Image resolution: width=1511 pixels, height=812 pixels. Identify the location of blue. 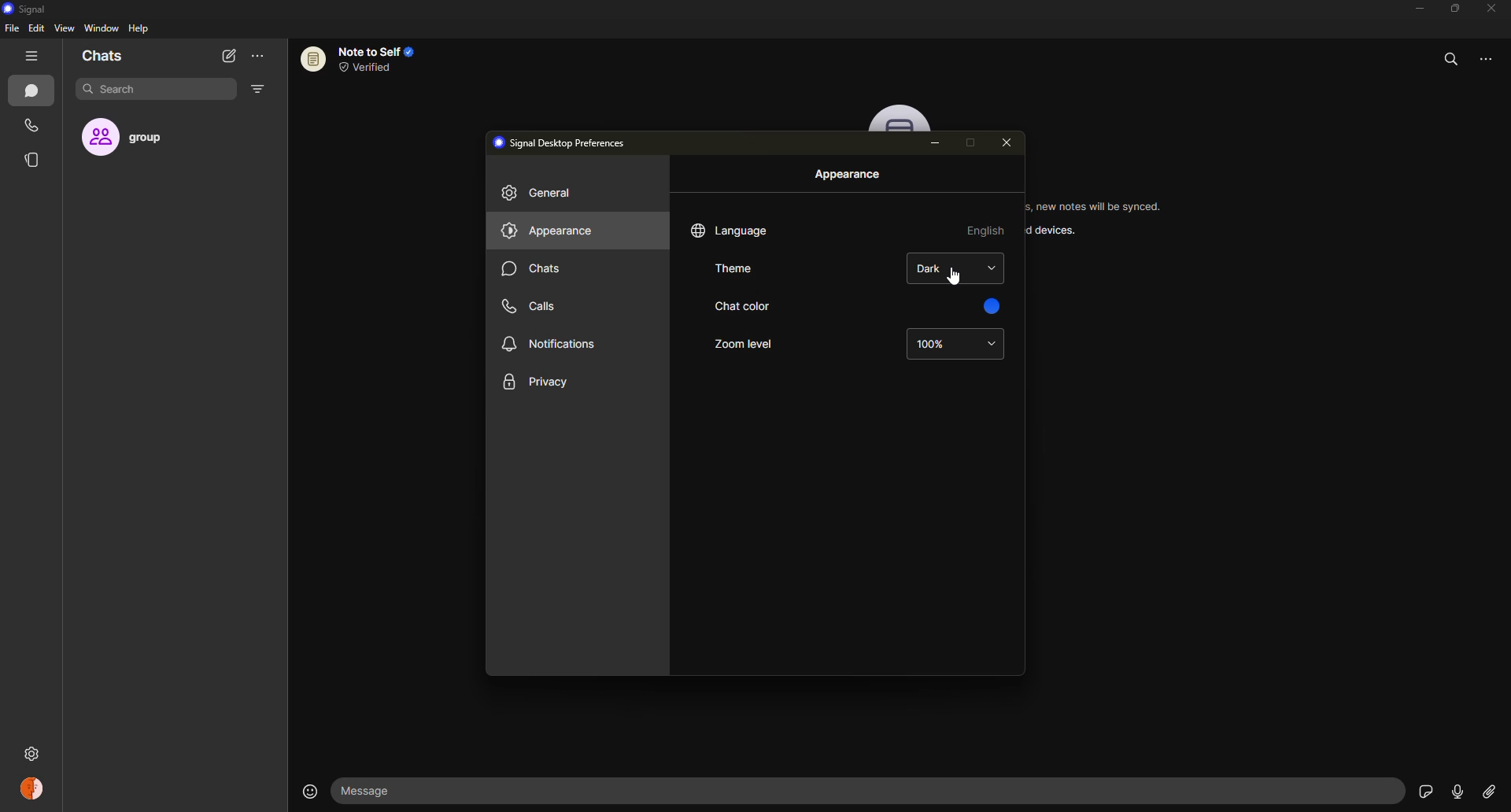
(988, 304).